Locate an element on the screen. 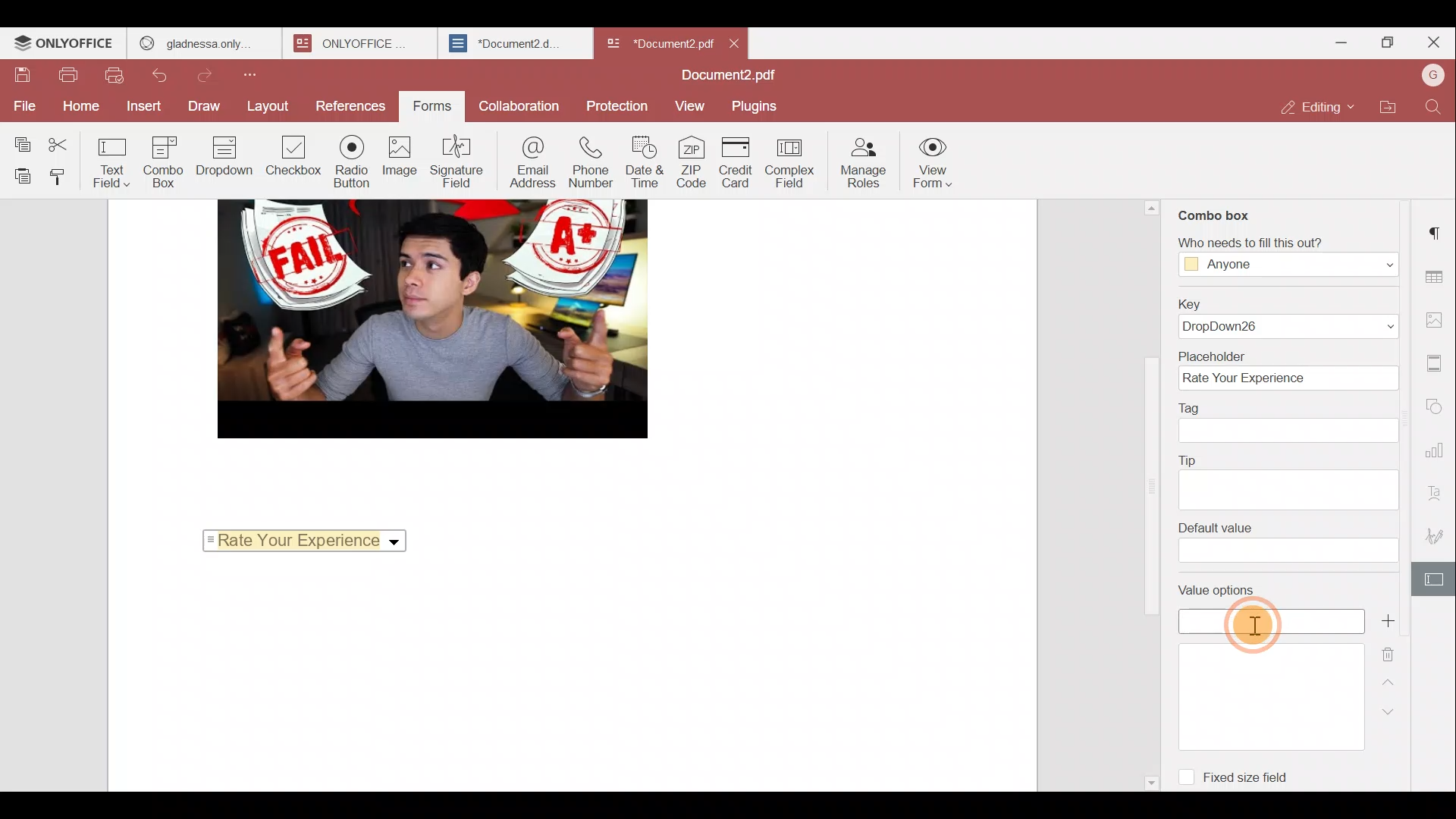  Complex field is located at coordinates (792, 165).